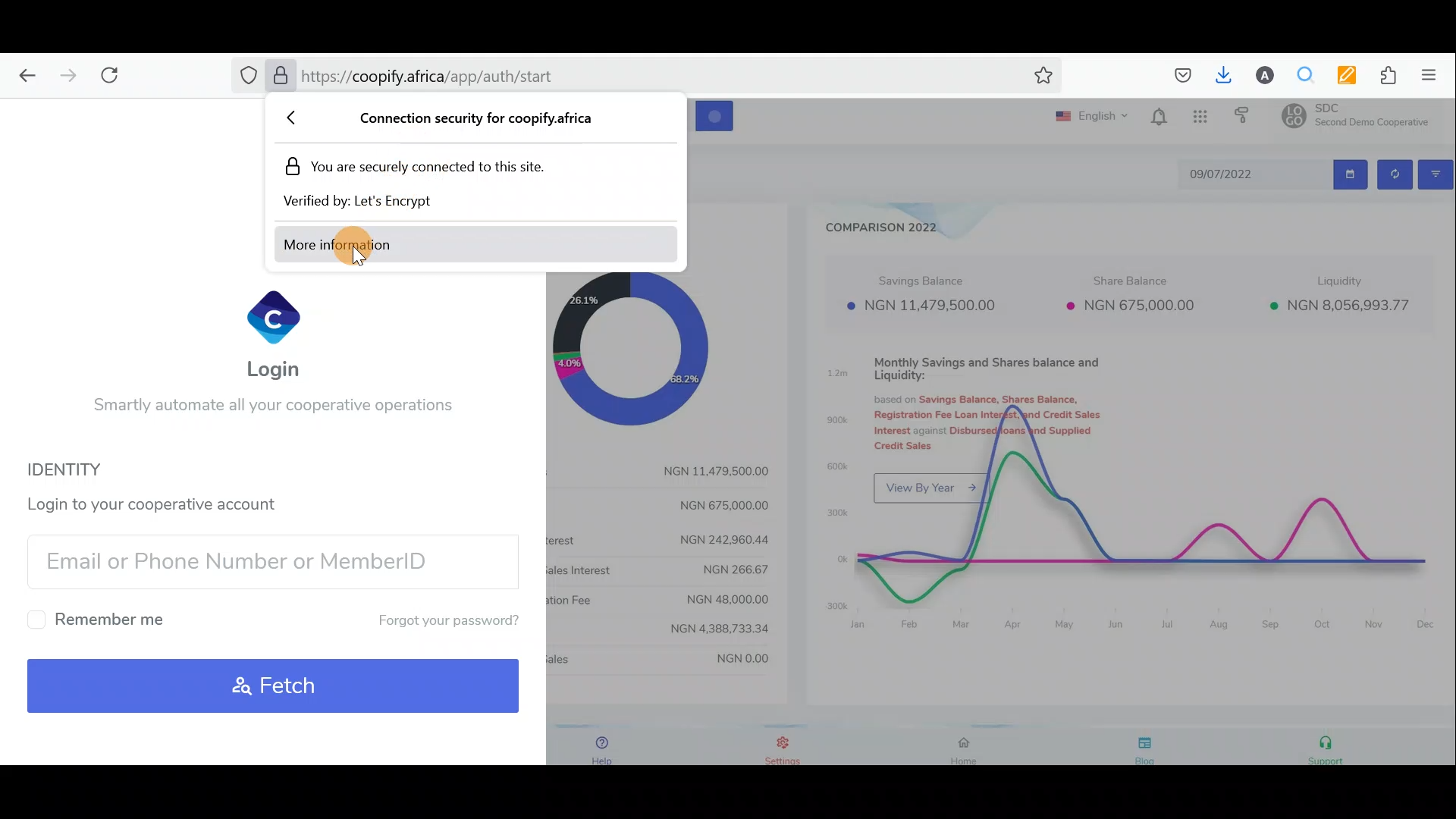 This screenshot has width=1456, height=819. What do you see at coordinates (1075, 438) in the screenshot?
I see `Dashboard with charts` at bounding box center [1075, 438].